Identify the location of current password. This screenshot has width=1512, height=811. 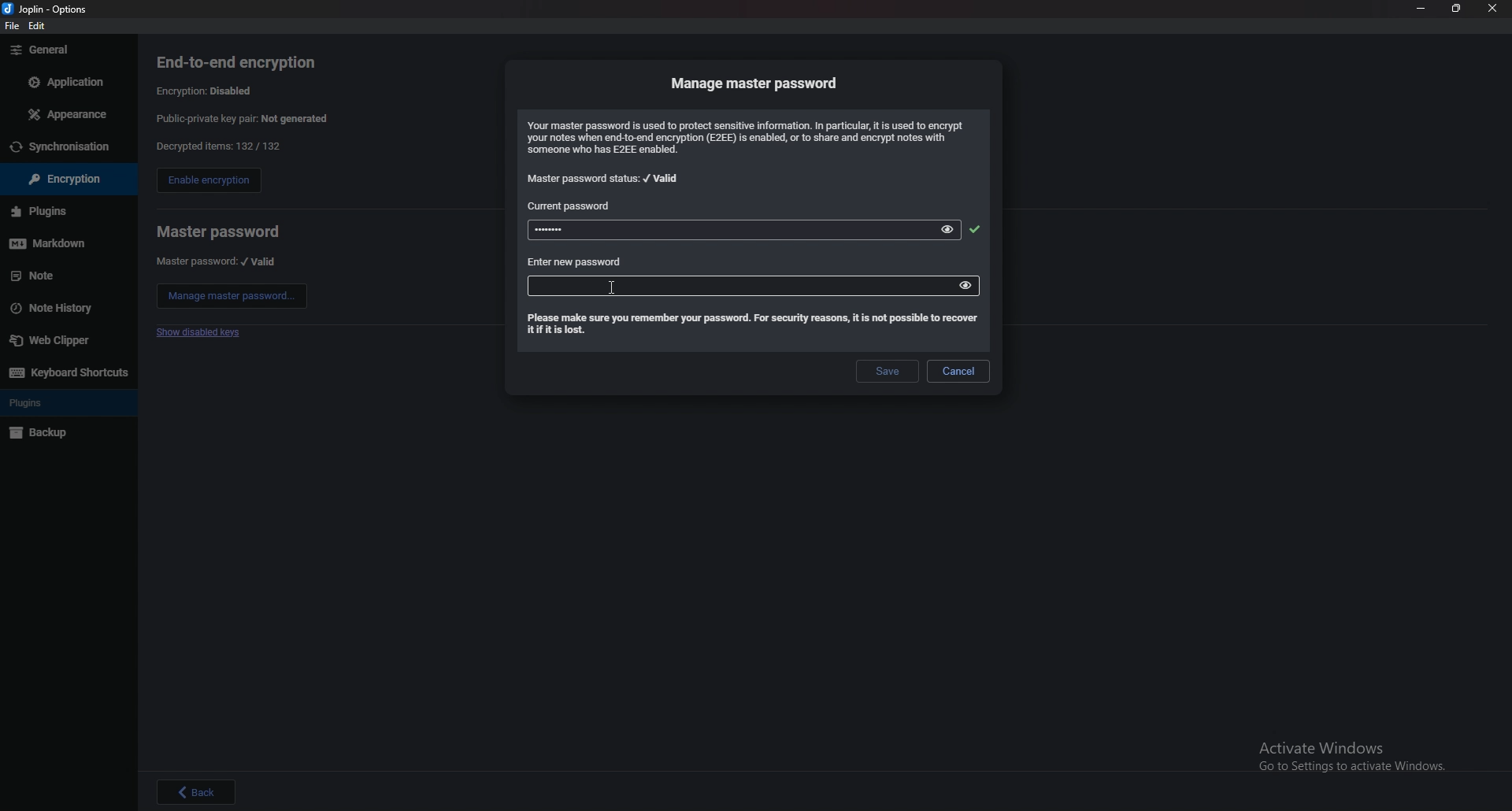
(573, 206).